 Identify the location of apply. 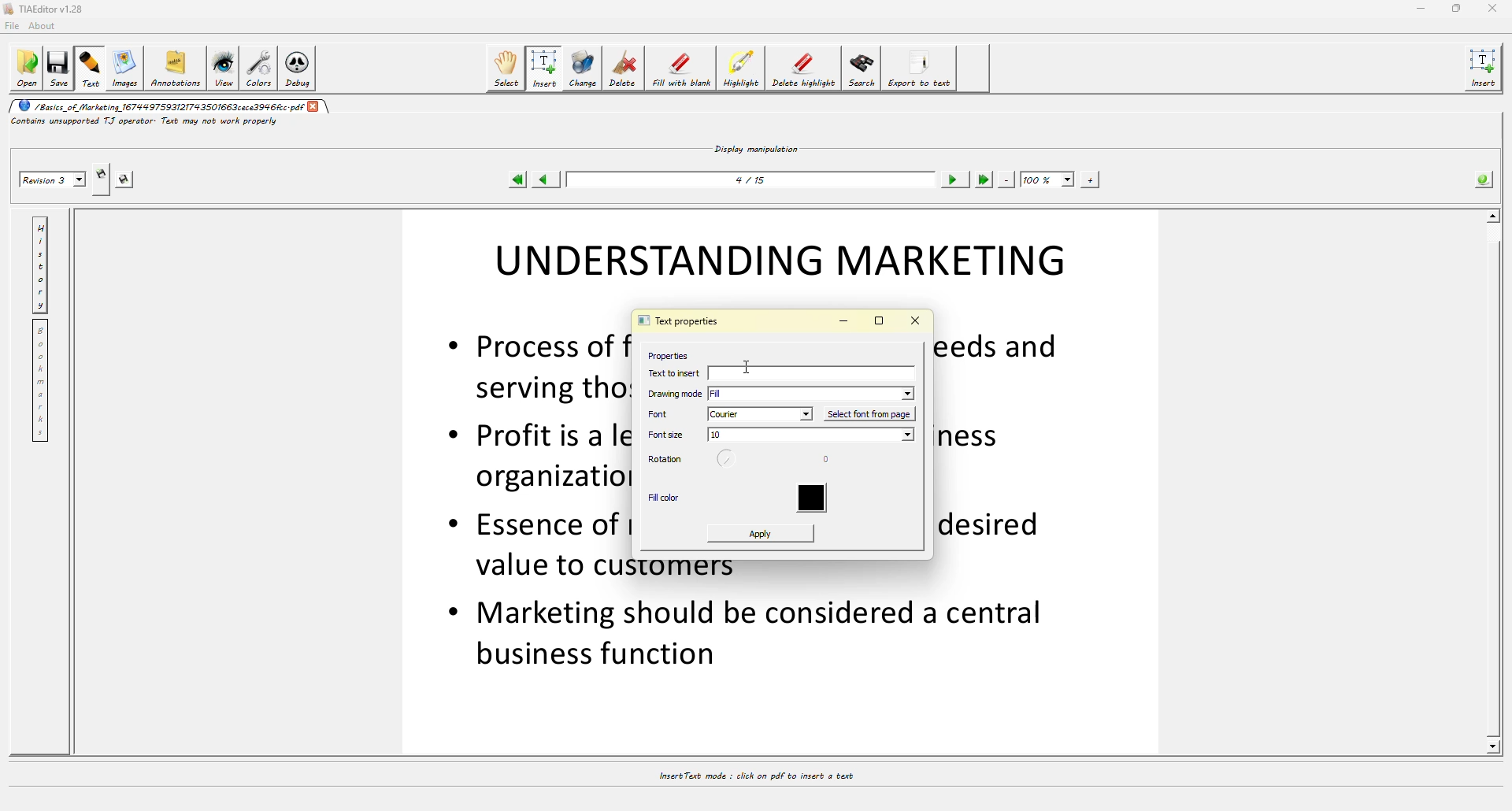
(762, 533).